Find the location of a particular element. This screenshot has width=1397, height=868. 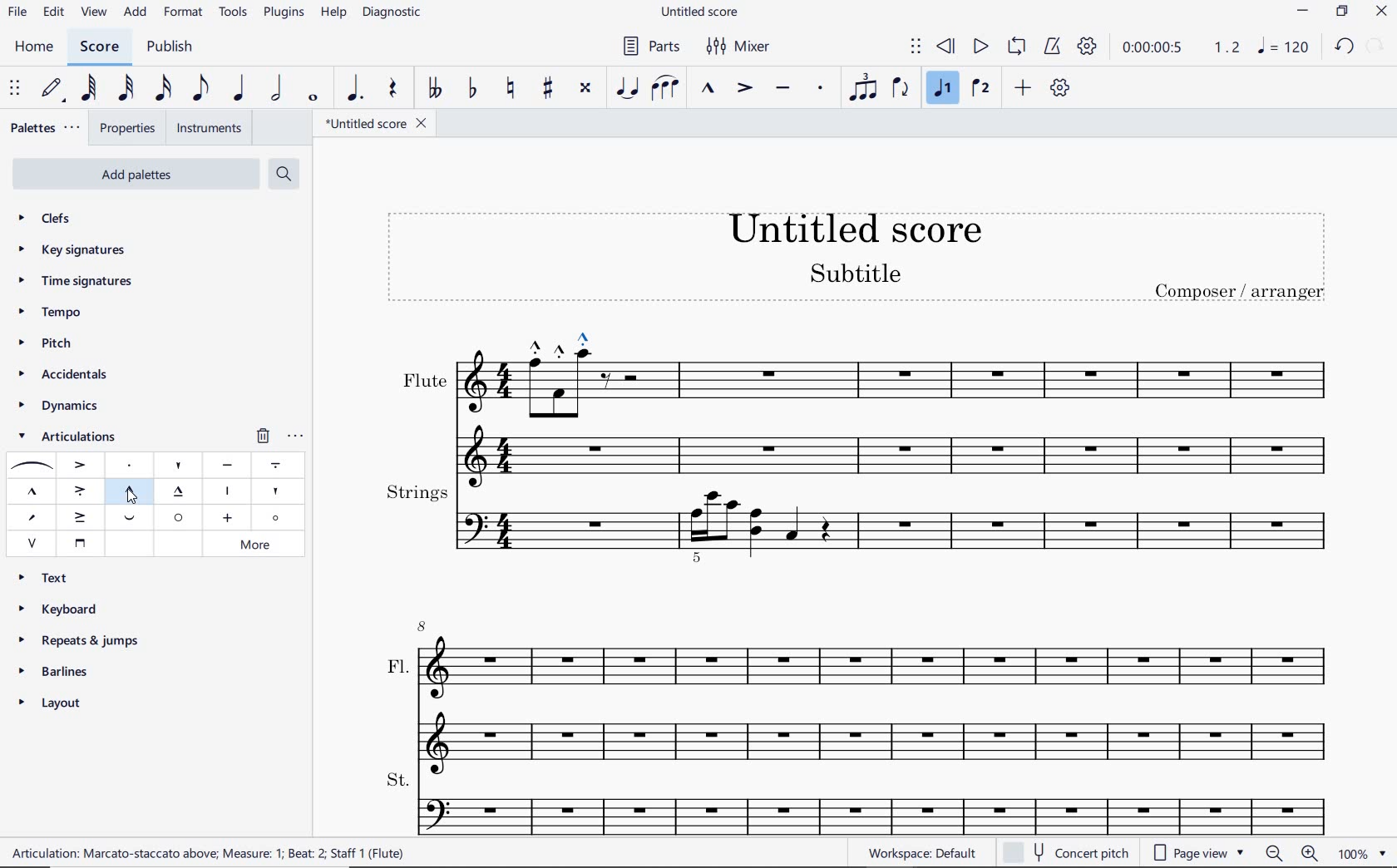

close is located at coordinates (1384, 13).